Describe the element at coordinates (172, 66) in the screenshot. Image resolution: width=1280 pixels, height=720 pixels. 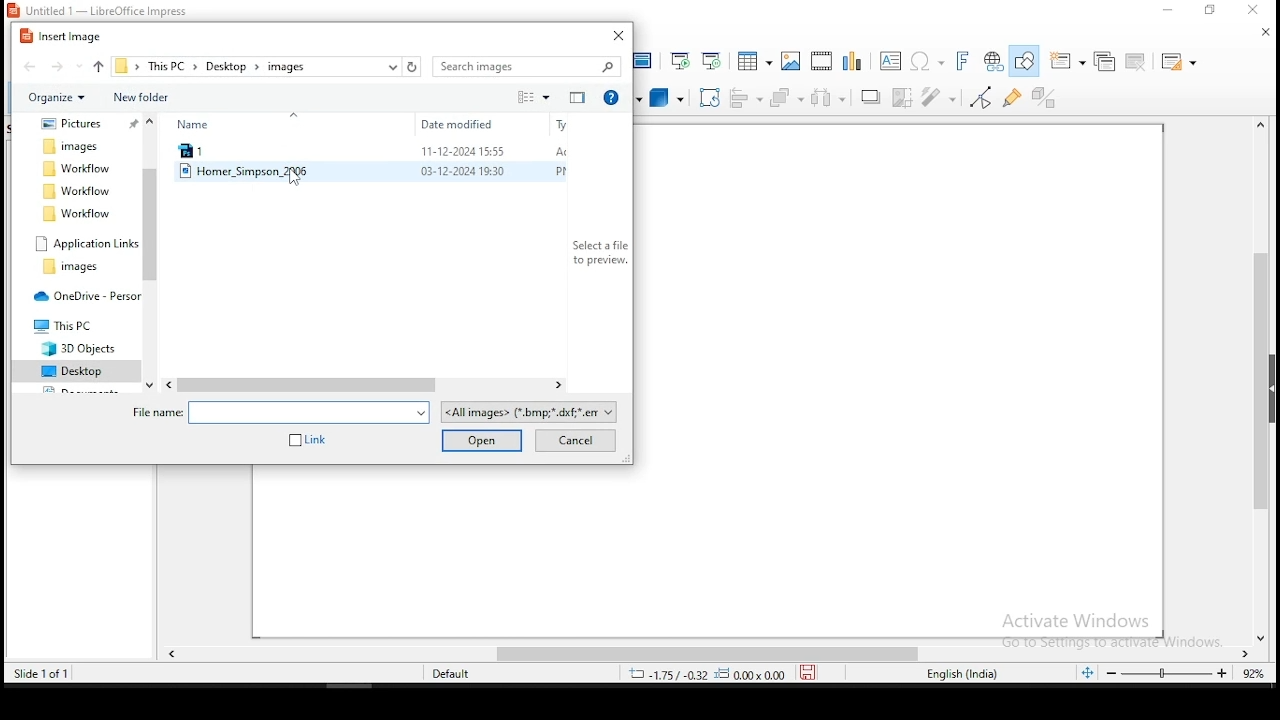
I see `this PC` at that location.